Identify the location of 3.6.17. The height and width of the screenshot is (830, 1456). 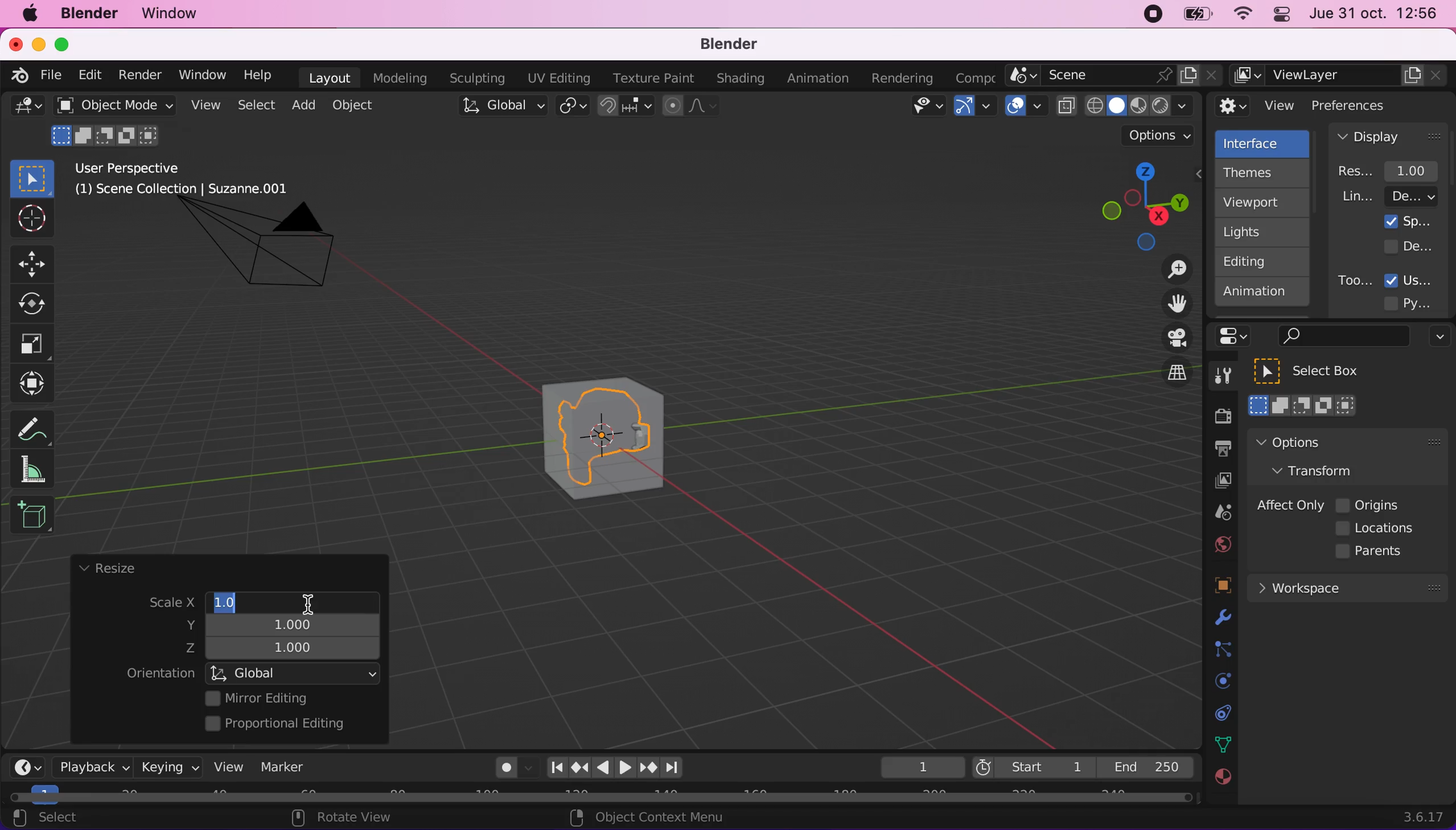
(1426, 817).